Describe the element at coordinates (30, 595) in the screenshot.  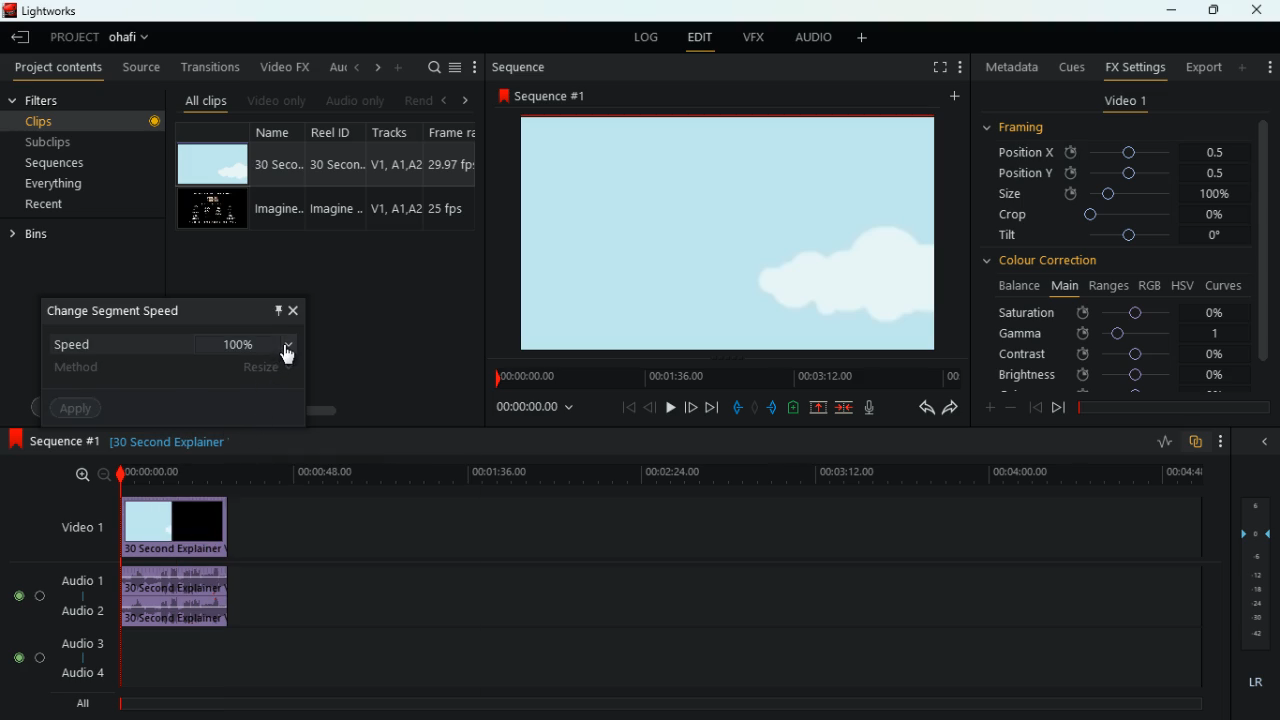
I see `Audio` at that location.